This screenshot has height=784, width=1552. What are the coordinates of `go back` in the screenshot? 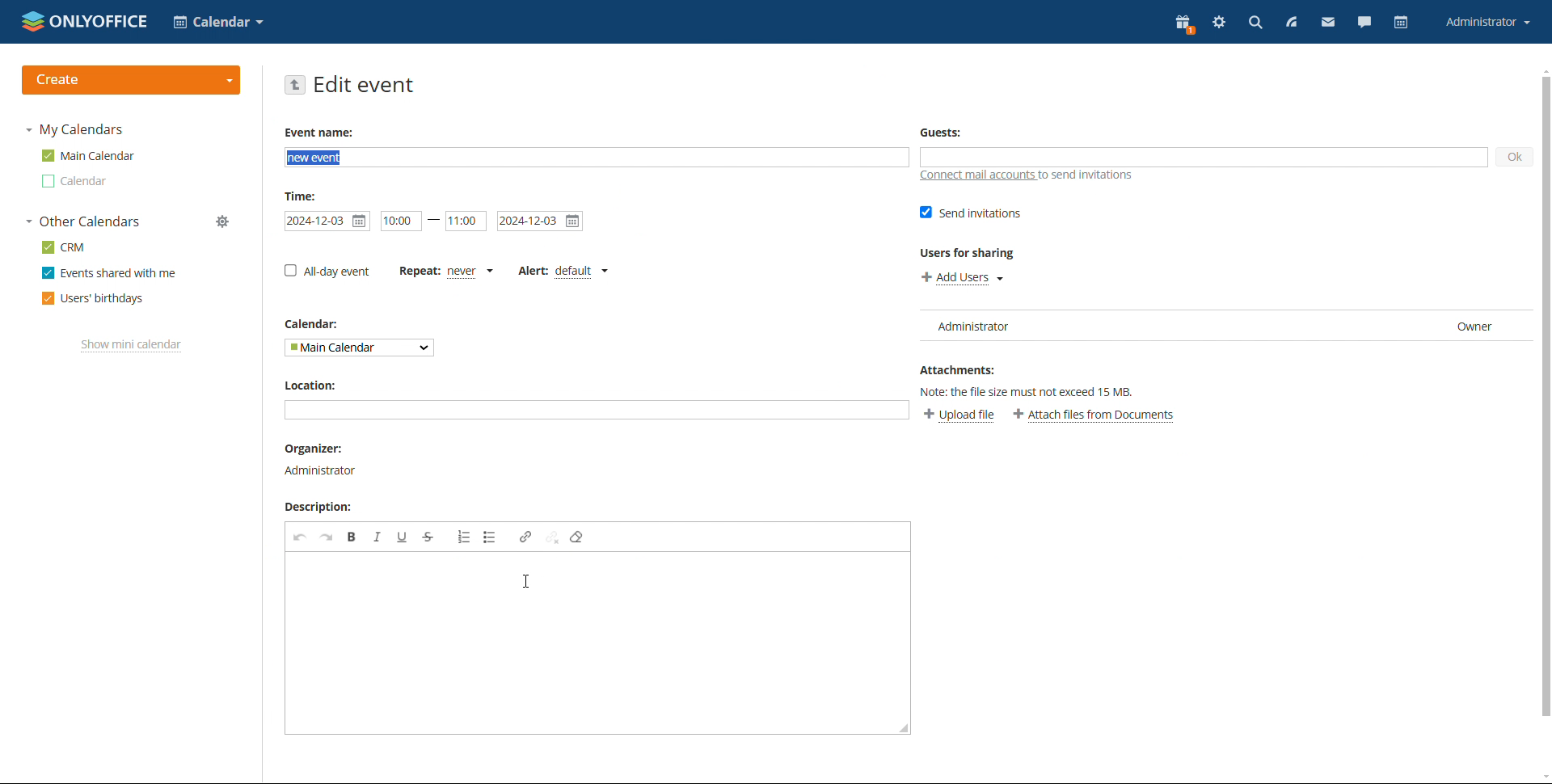 It's located at (296, 85).